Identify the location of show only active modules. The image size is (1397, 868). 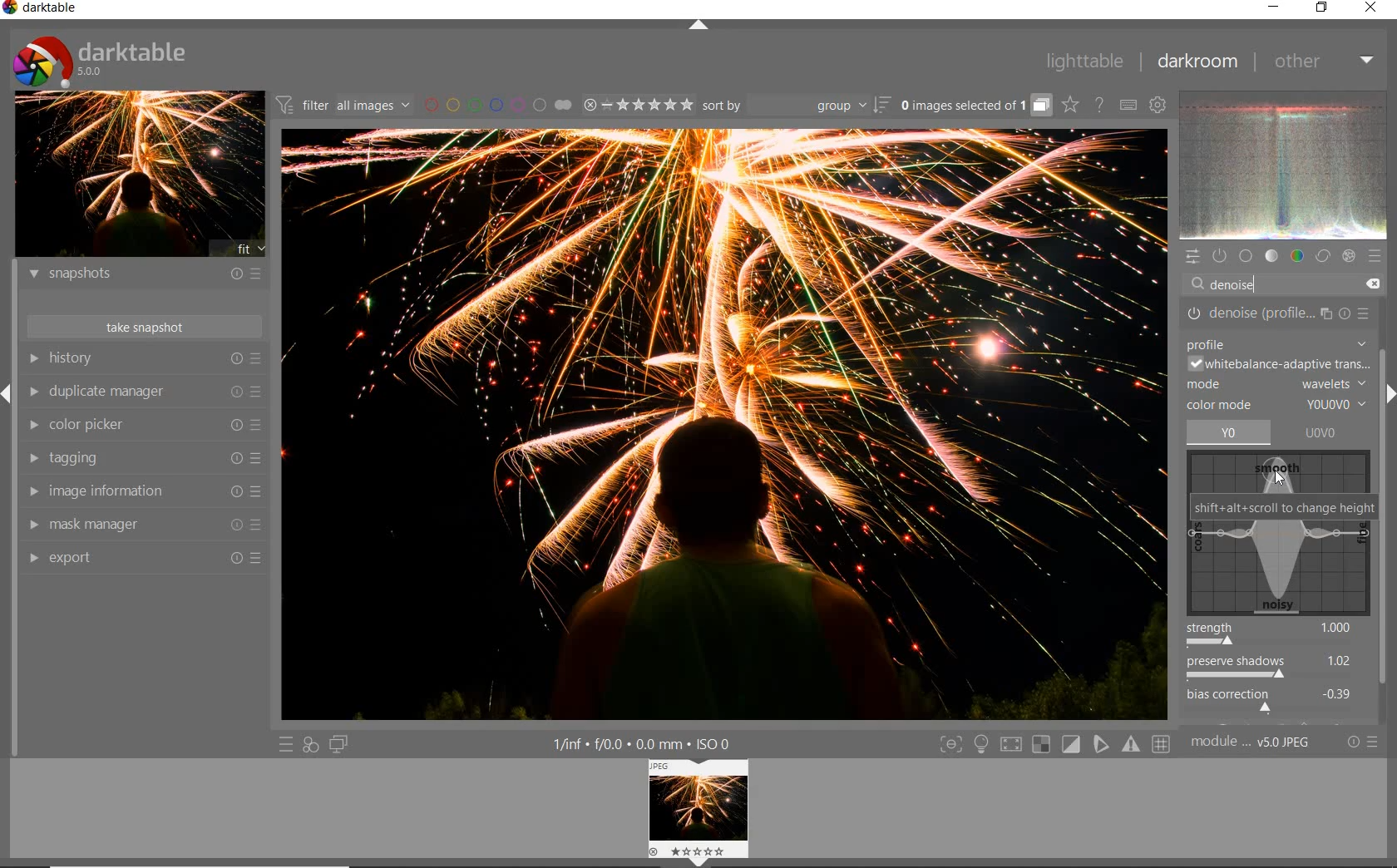
(1221, 255).